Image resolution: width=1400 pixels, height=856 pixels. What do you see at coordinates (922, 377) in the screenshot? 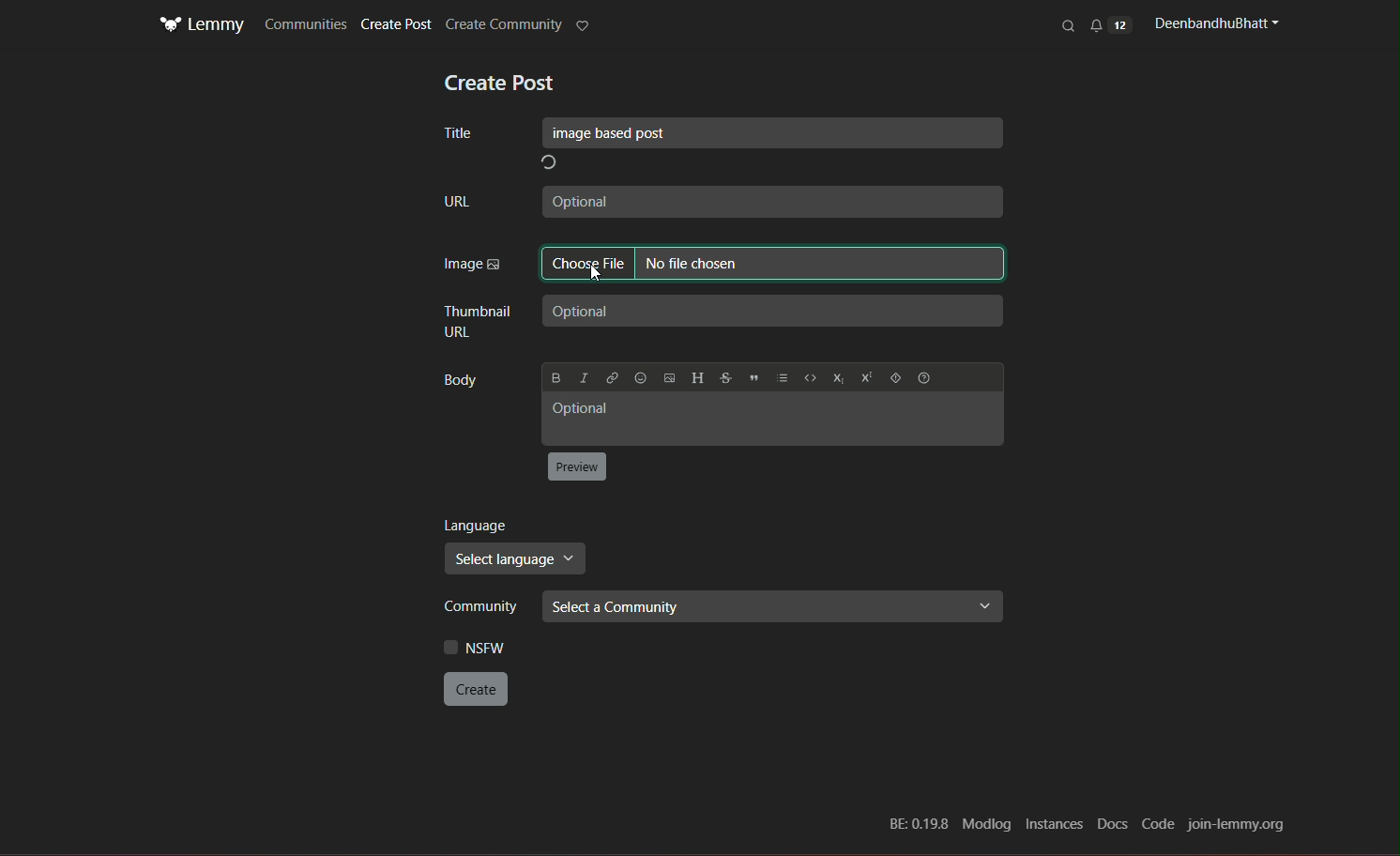
I see `spoiler` at bounding box center [922, 377].